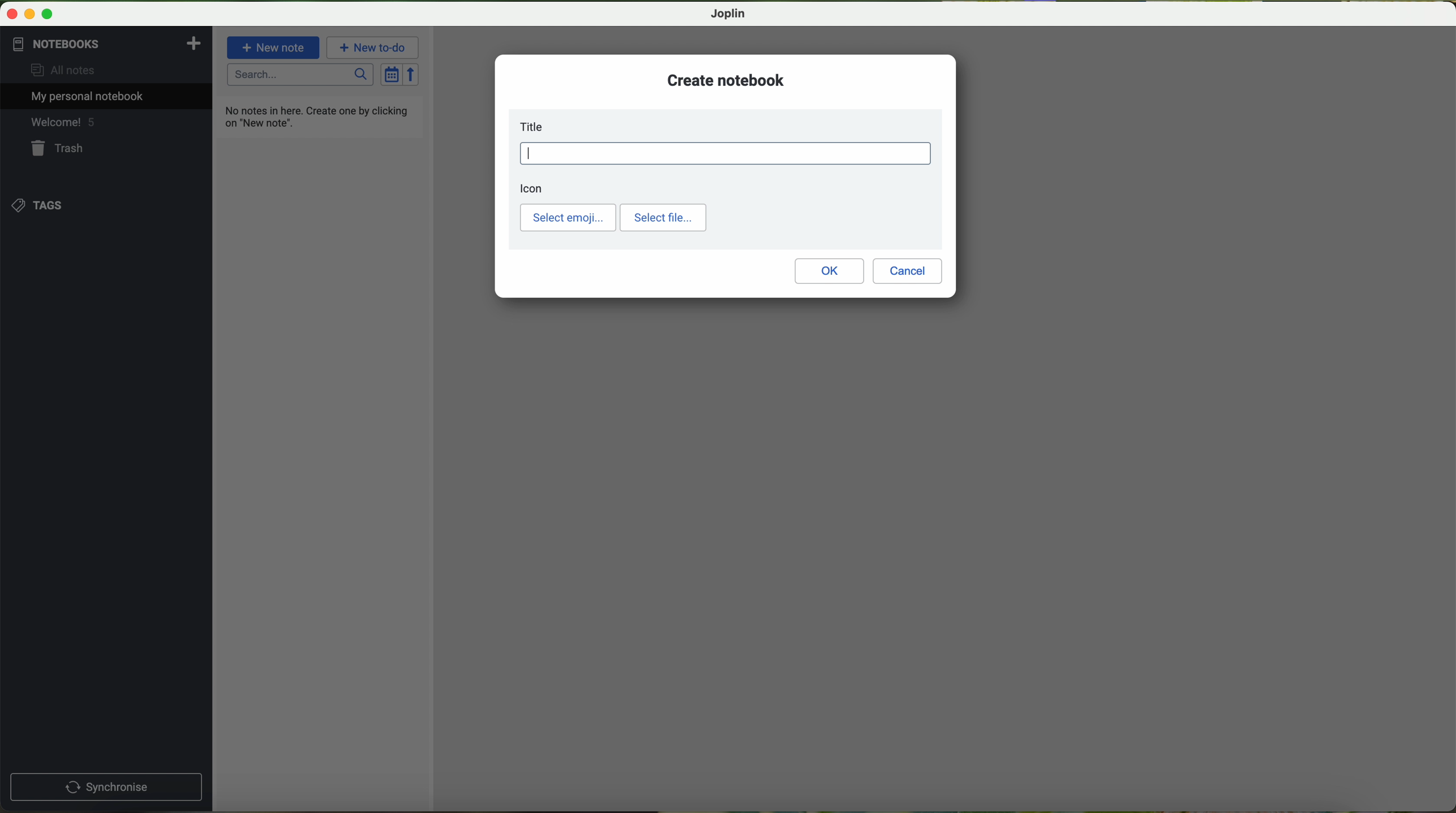  I want to click on icon, so click(532, 188).